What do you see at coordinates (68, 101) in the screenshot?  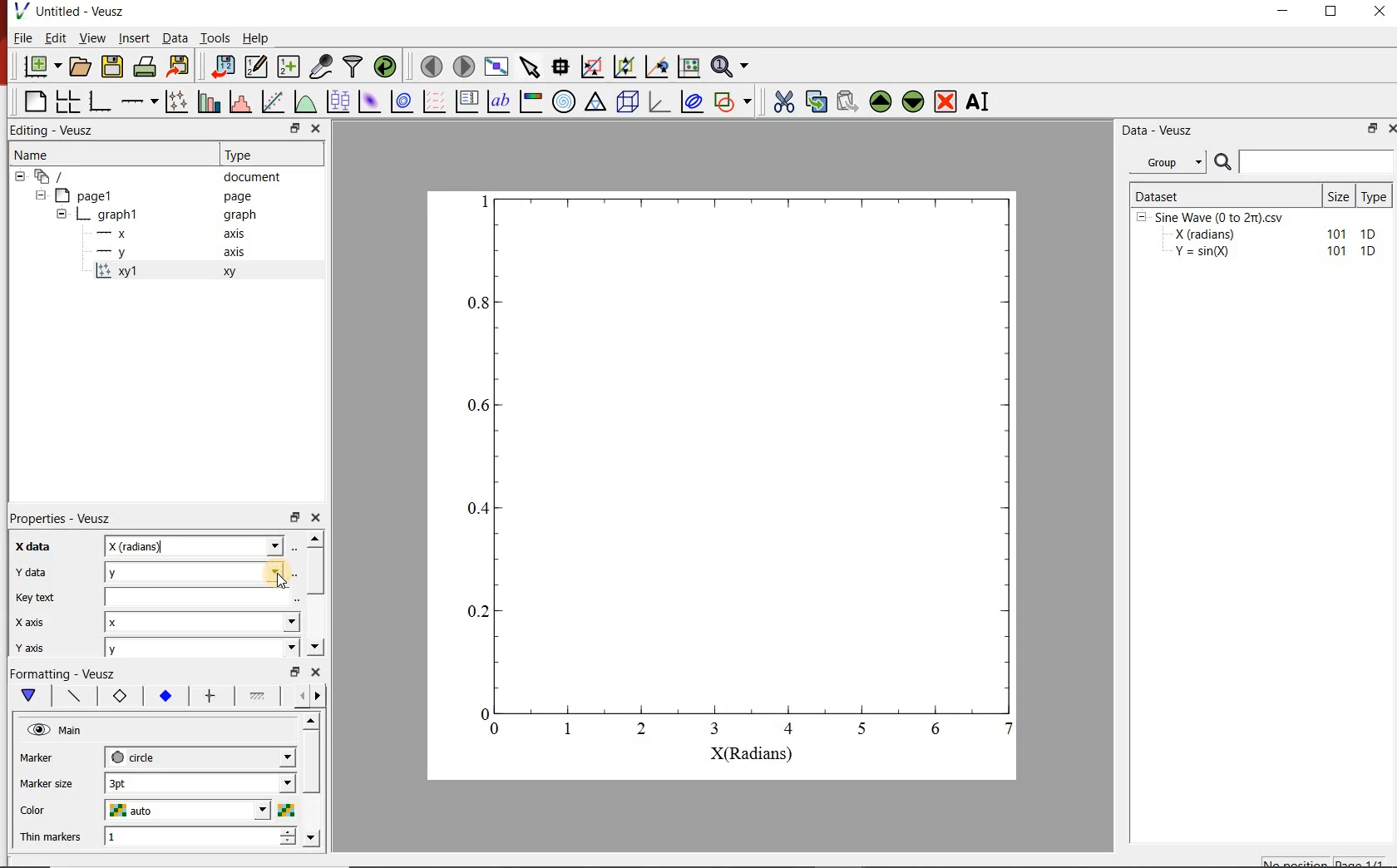 I see `arrange graph` at bounding box center [68, 101].